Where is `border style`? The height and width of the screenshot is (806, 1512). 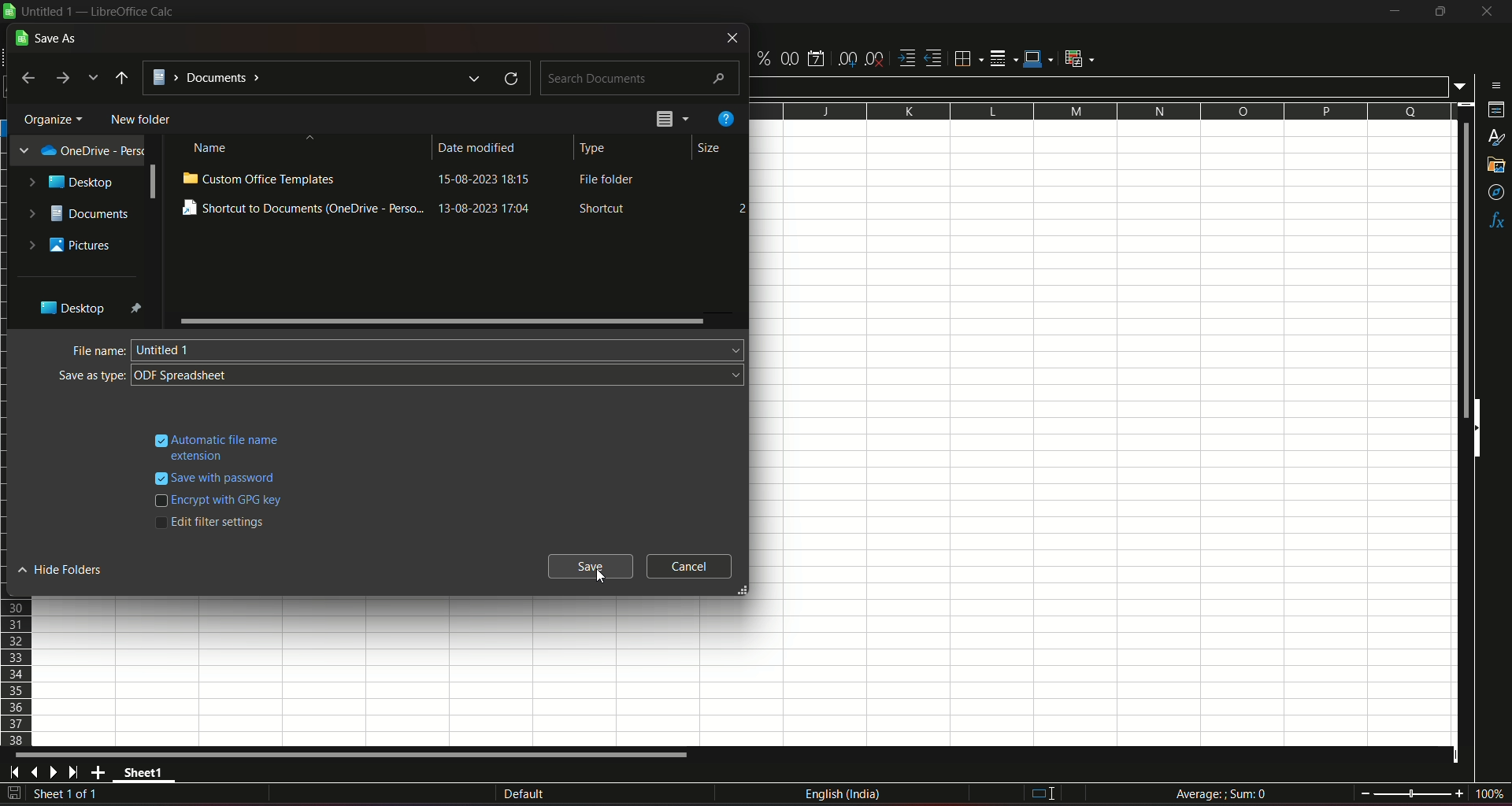 border style is located at coordinates (1005, 57).